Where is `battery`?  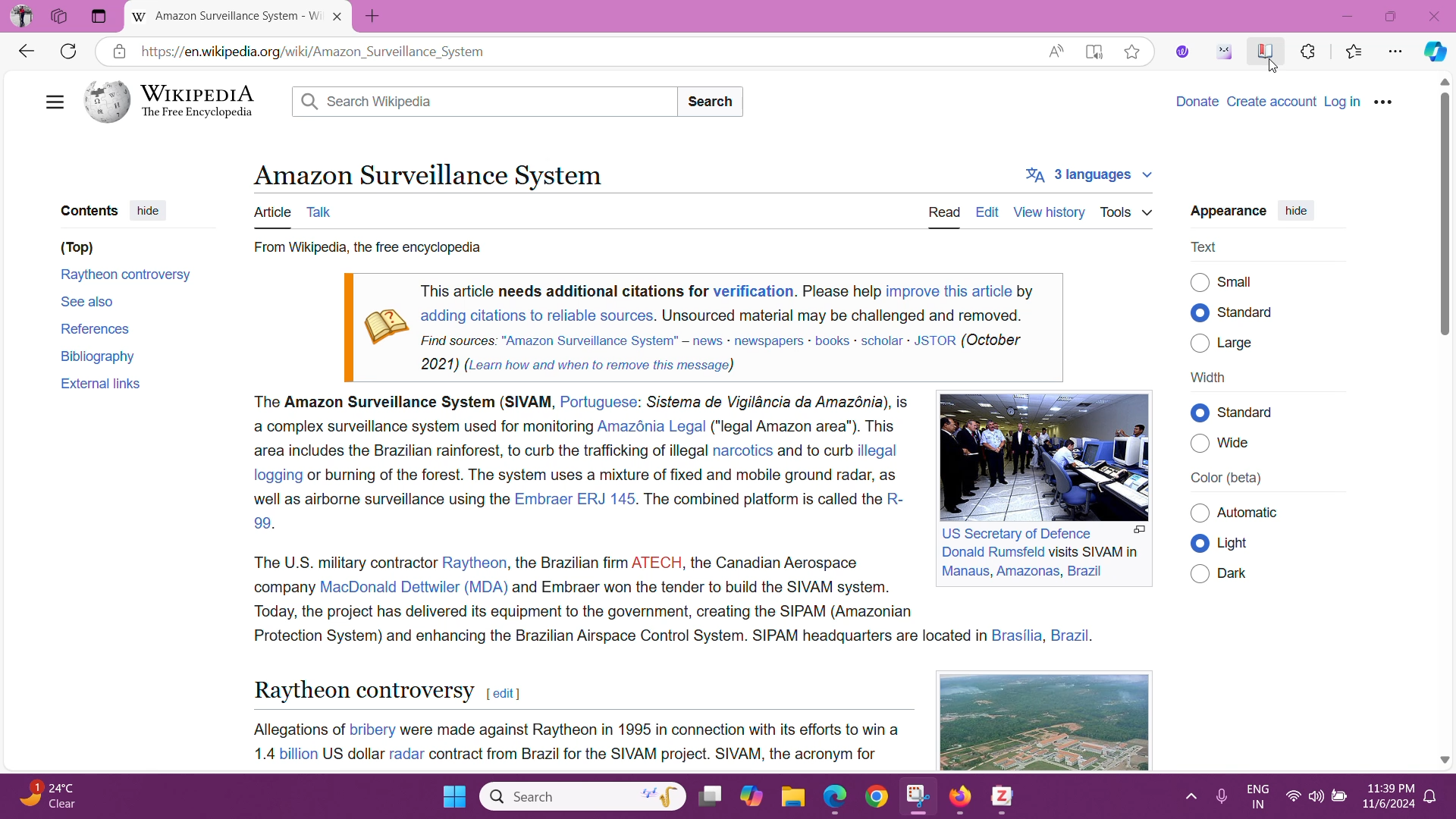 battery is located at coordinates (1337, 796).